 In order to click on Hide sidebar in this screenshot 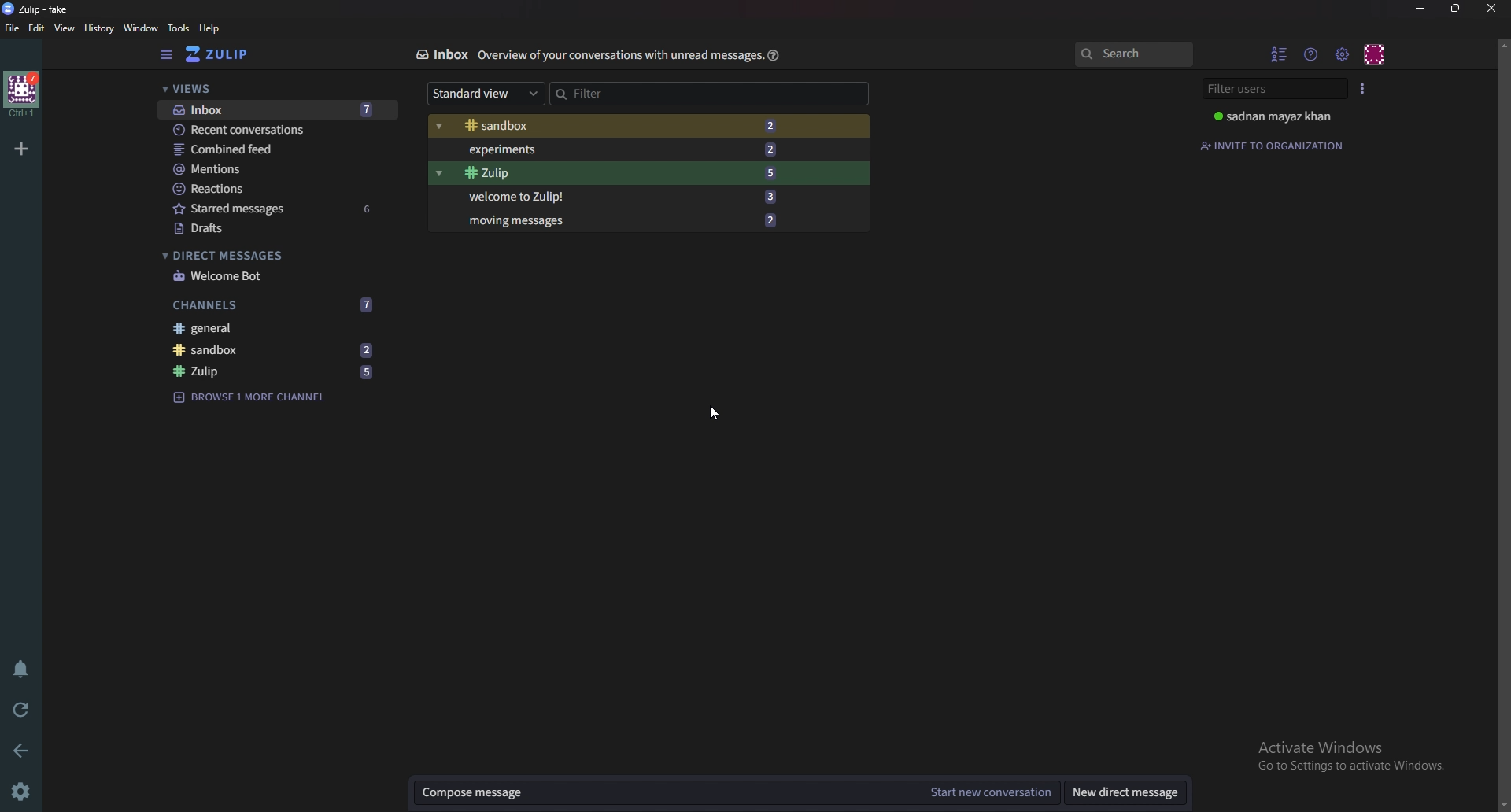, I will do `click(166, 55)`.